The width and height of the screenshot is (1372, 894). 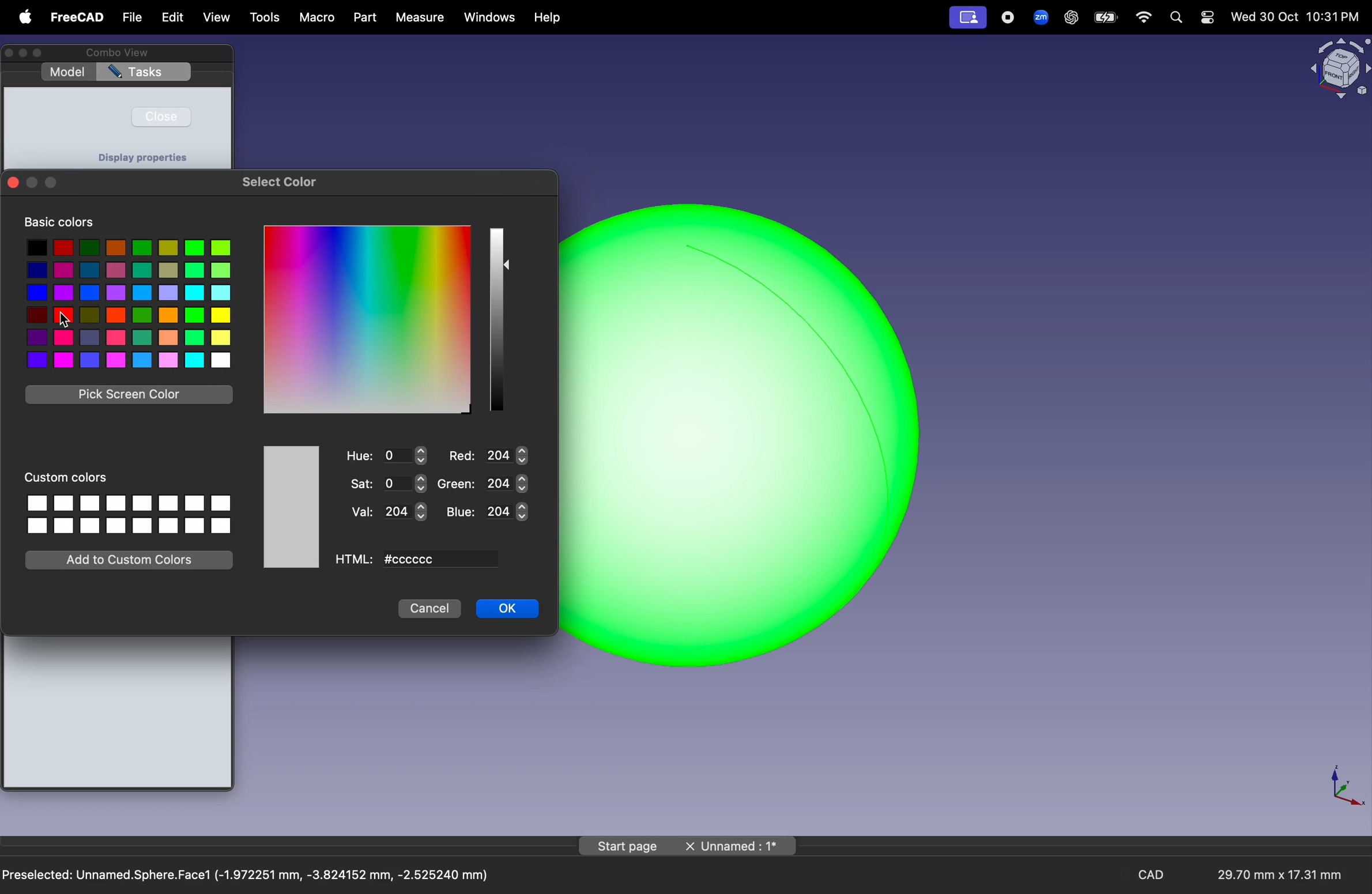 I want to click on marco, so click(x=318, y=18).